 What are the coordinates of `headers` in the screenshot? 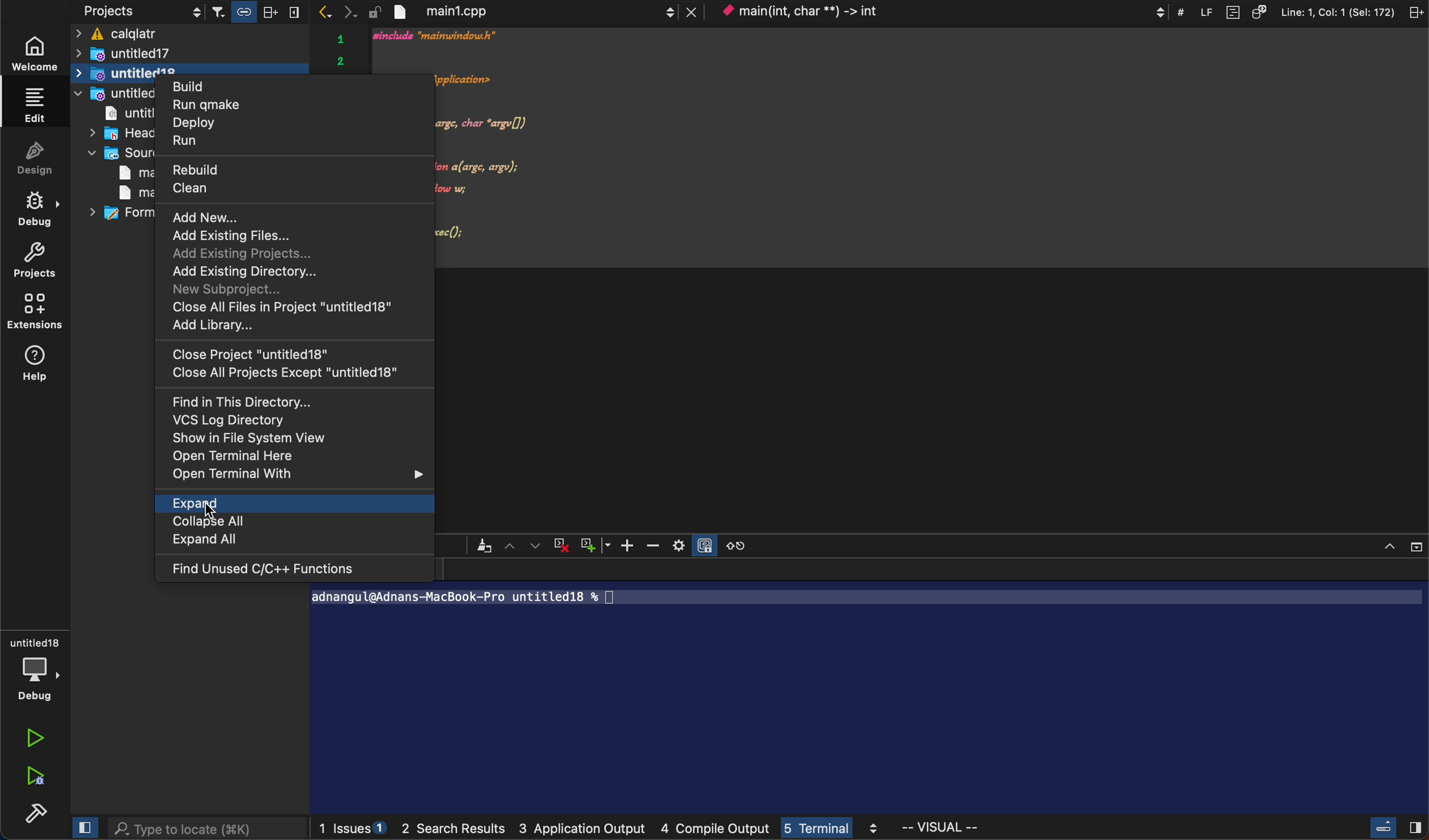 It's located at (124, 132).